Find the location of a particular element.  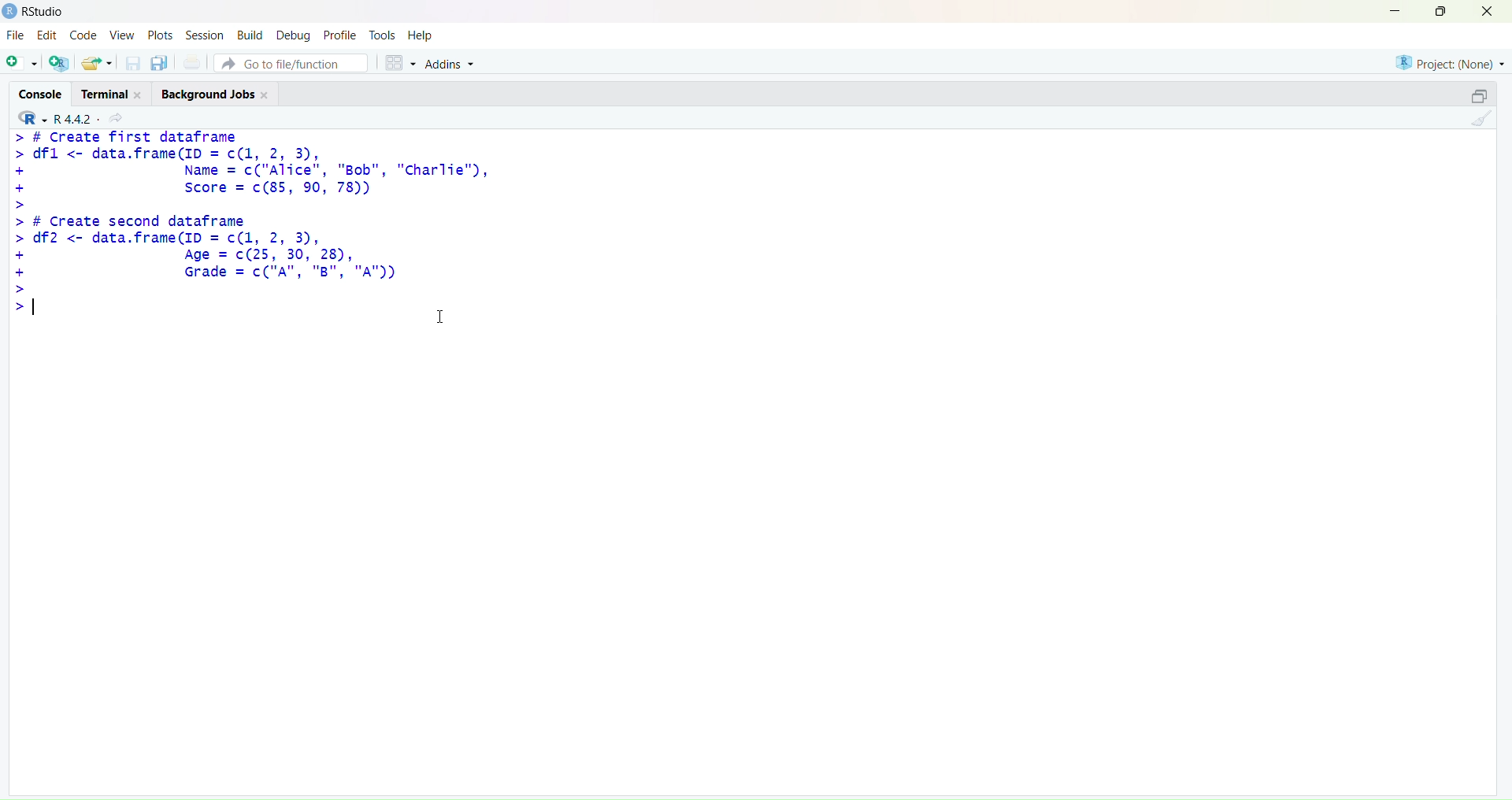

Edit is located at coordinates (47, 35).